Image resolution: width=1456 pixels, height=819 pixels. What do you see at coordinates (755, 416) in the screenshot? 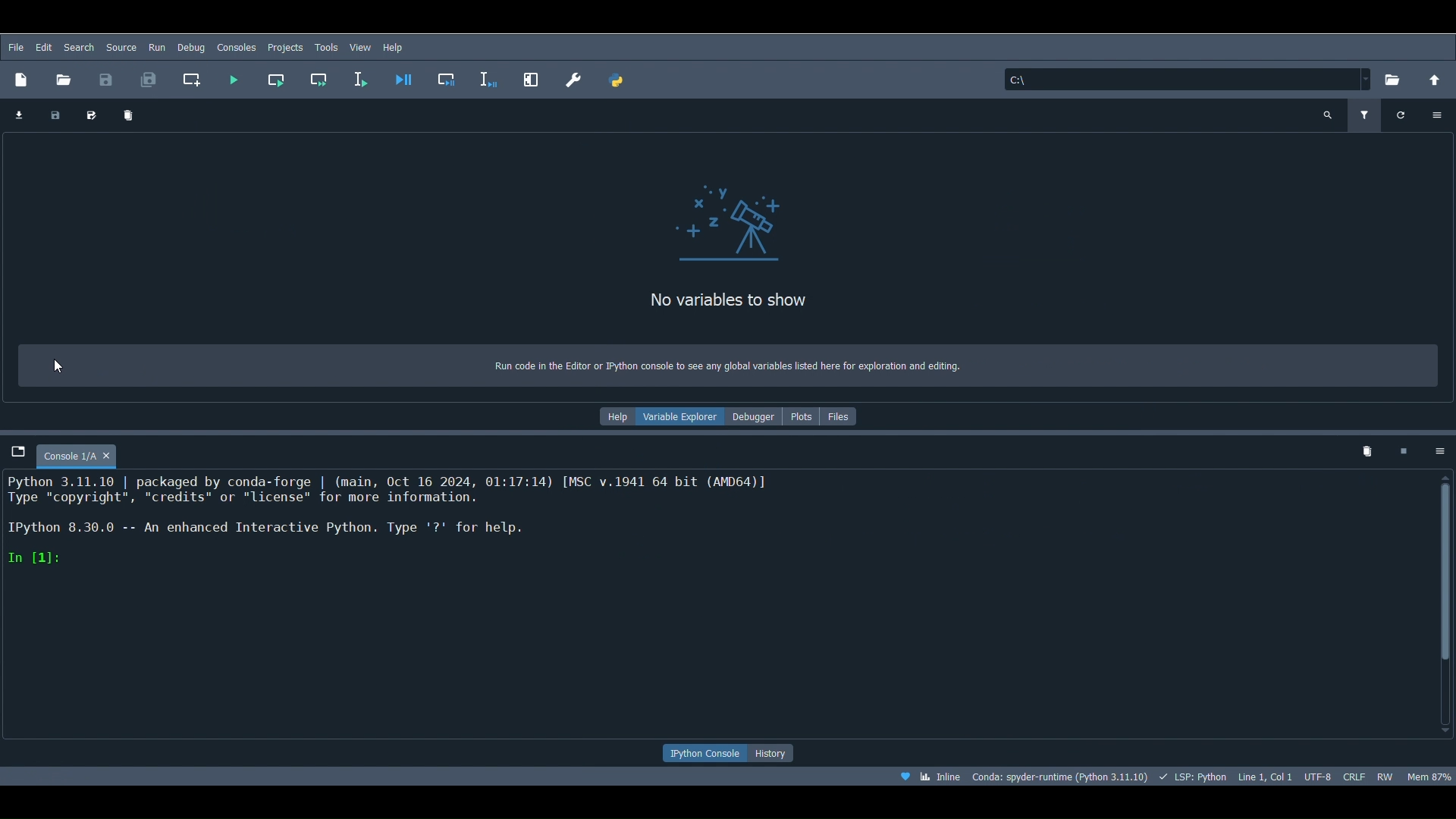
I see `Debugger` at bounding box center [755, 416].